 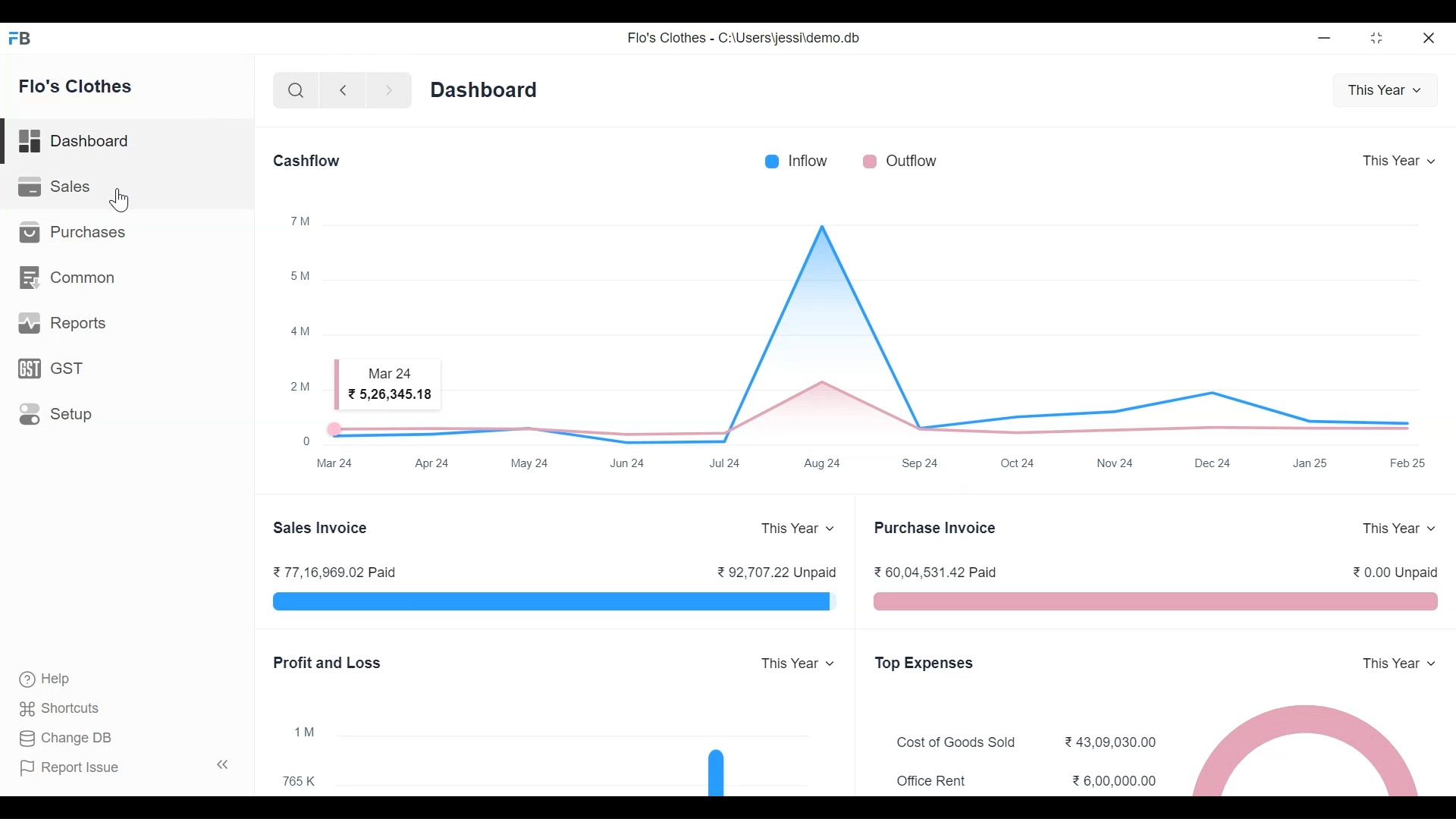 What do you see at coordinates (961, 743) in the screenshot?
I see `Cost of Goods Sold` at bounding box center [961, 743].